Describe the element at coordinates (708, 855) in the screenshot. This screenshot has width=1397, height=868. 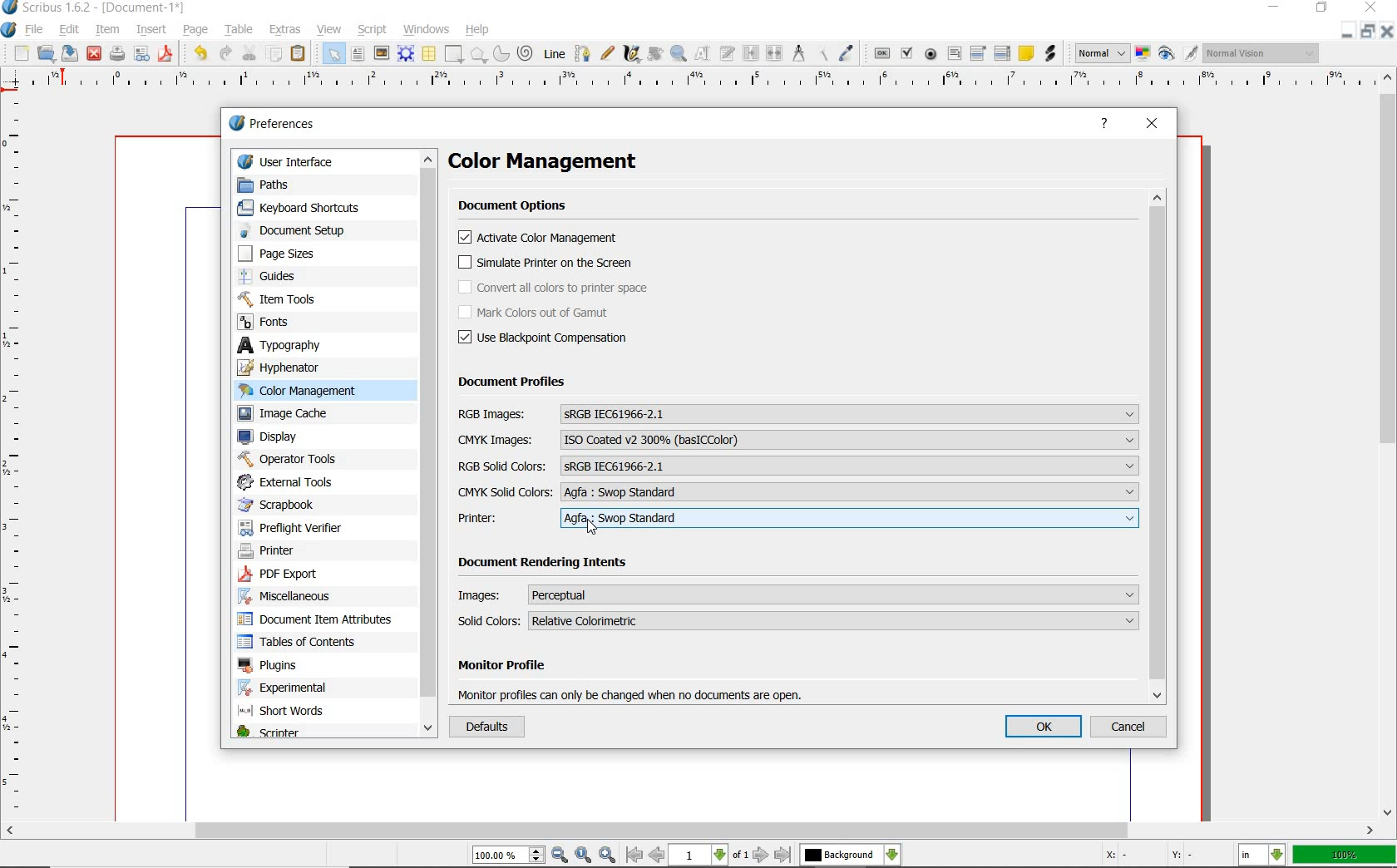
I see `move to next or previous page` at that location.